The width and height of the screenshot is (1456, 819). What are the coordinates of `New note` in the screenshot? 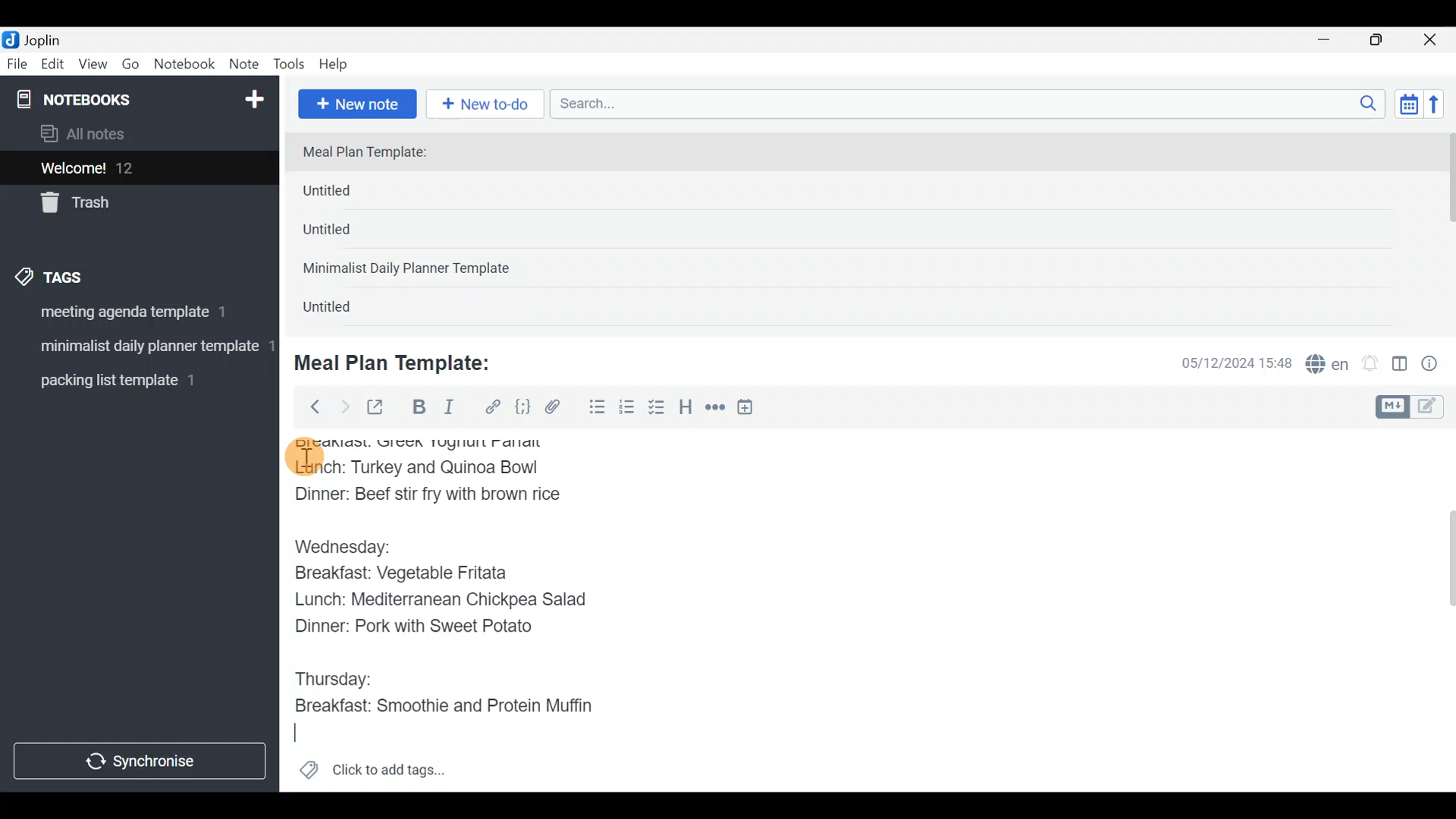 It's located at (356, 102).